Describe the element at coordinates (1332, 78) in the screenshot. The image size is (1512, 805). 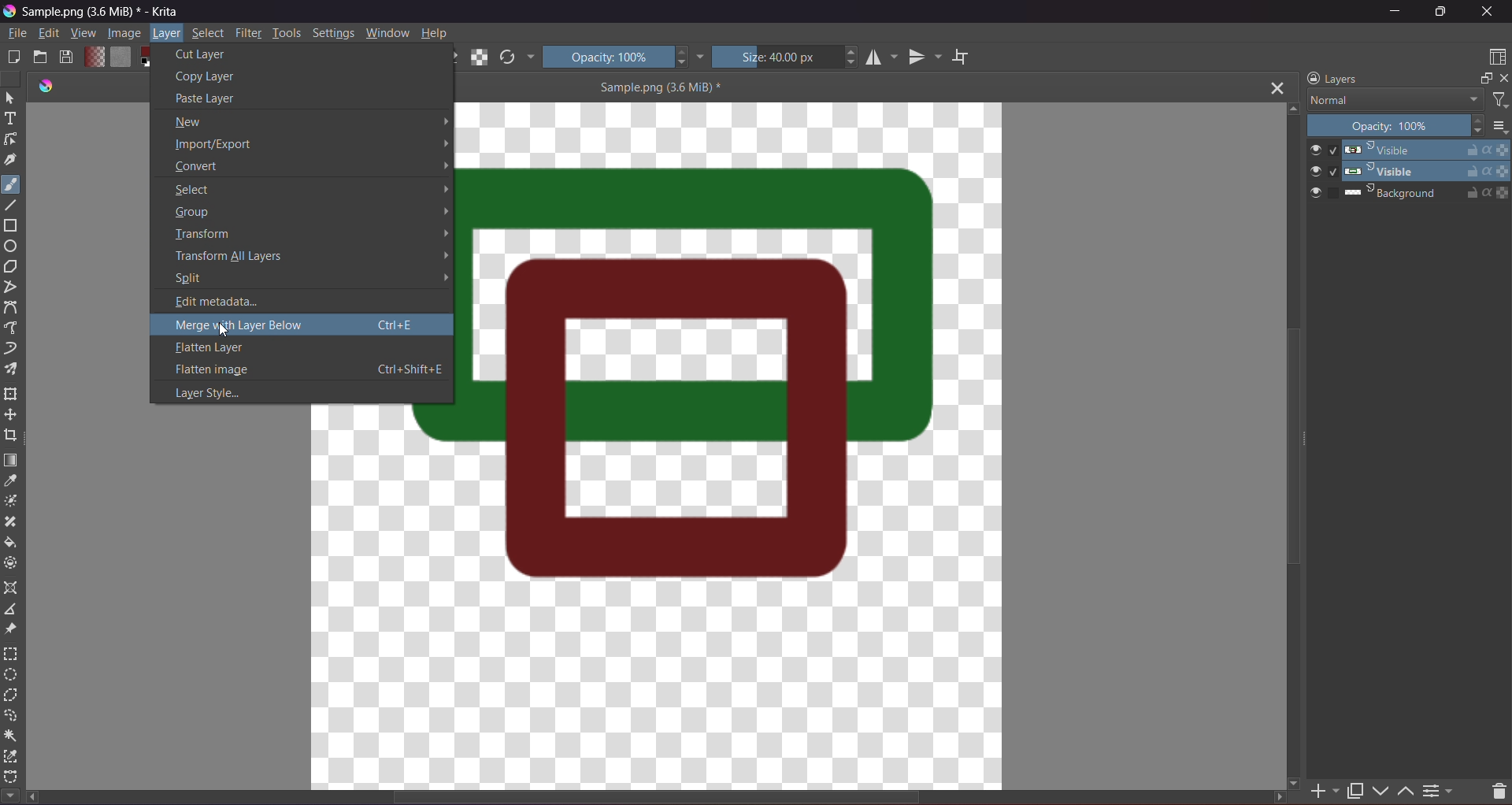
I see `Layers` at that location.